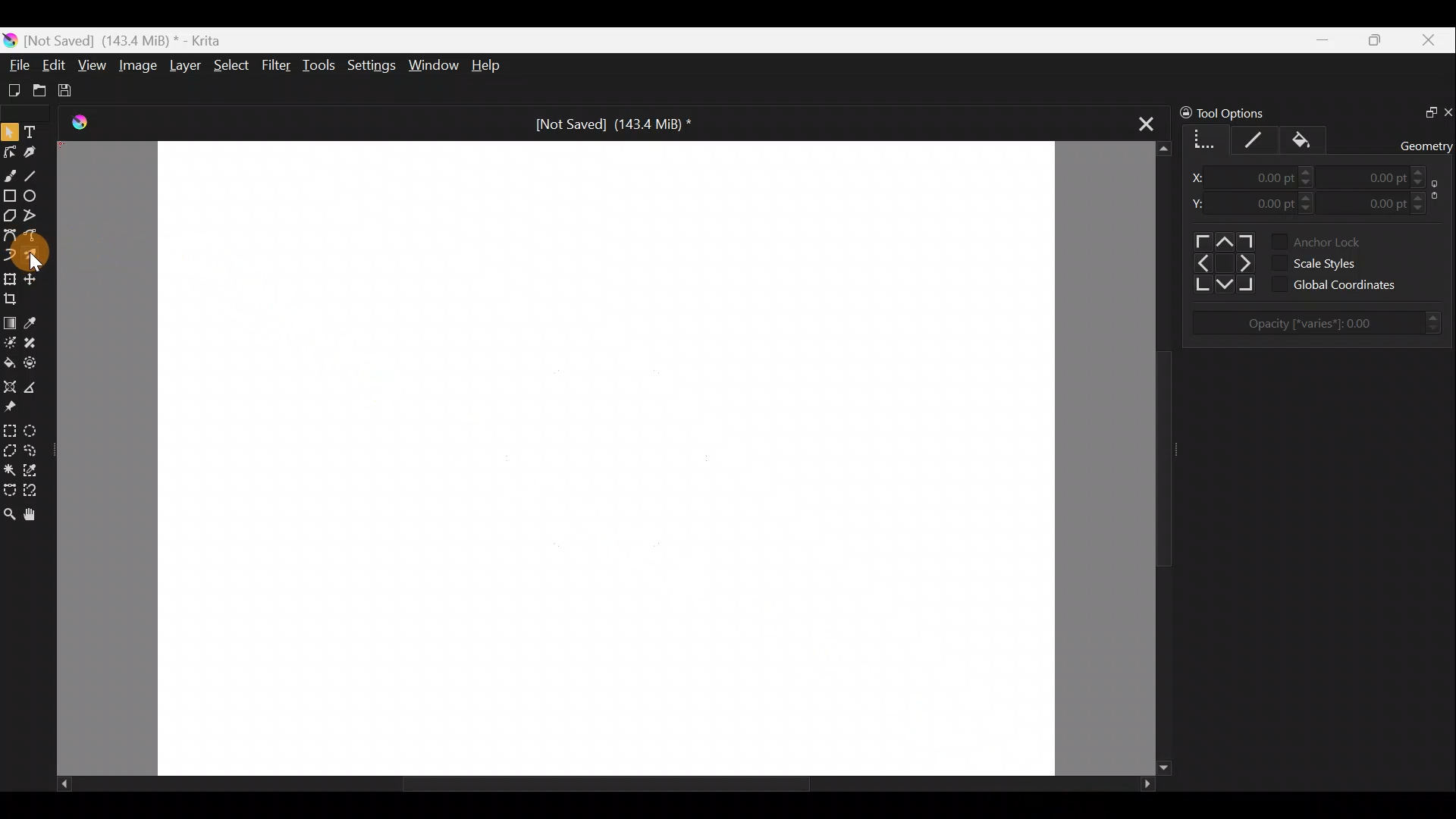  I want to click on Create new document, so click(14, 90).